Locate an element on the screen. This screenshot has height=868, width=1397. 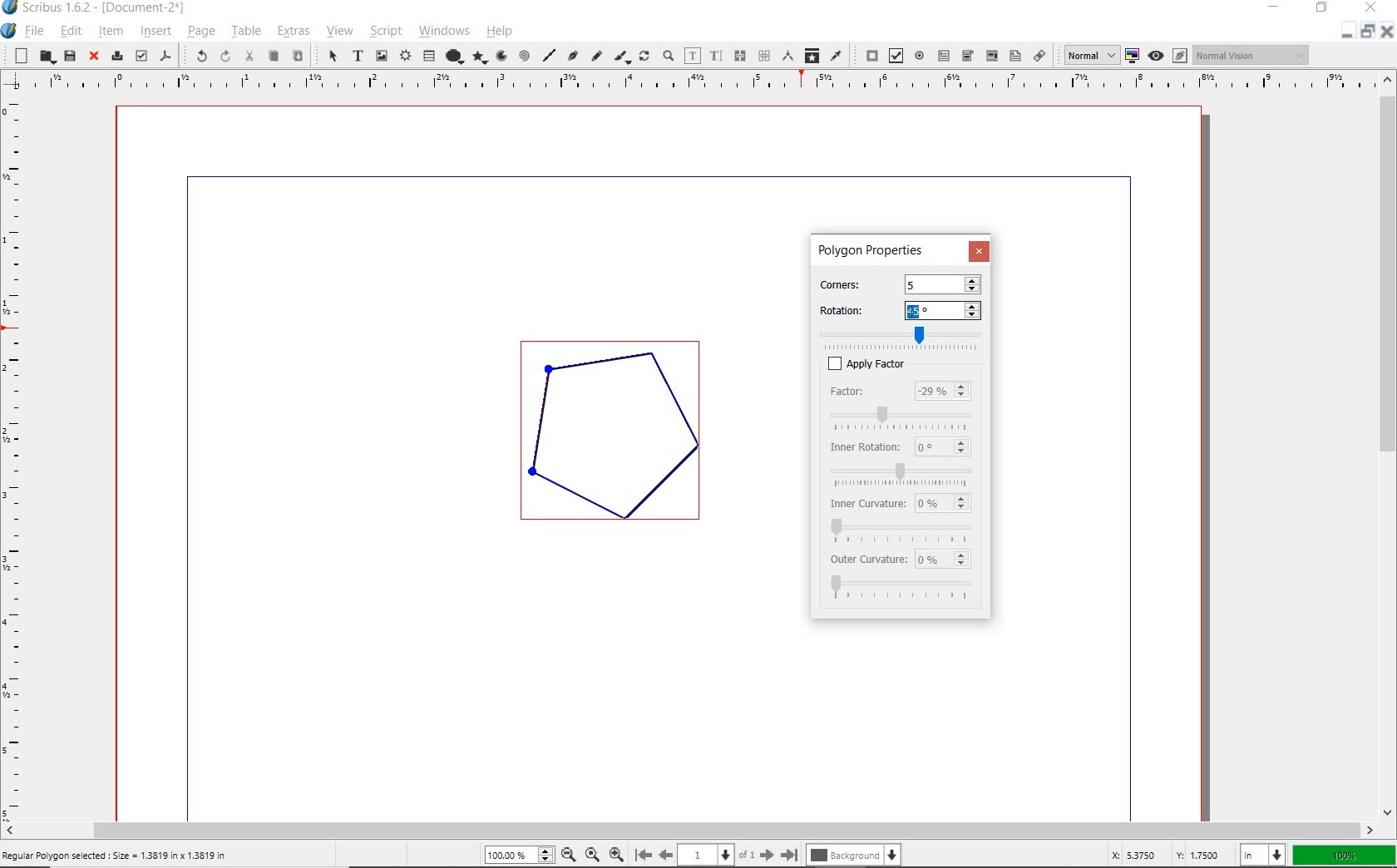
save as pdf is located at coordinates (166, 55).